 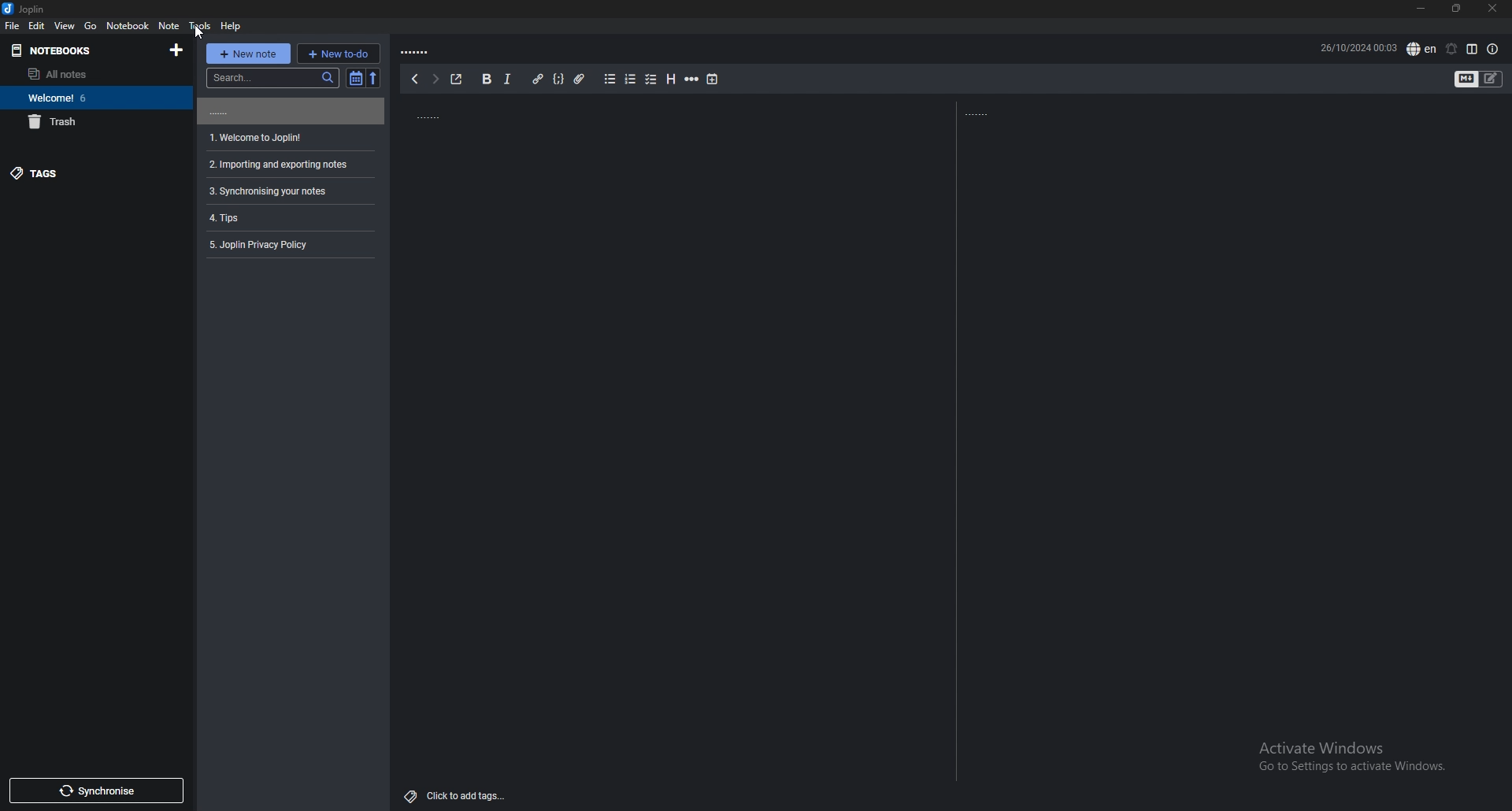 I want to click on synchronise, so click(x=97, y=791).